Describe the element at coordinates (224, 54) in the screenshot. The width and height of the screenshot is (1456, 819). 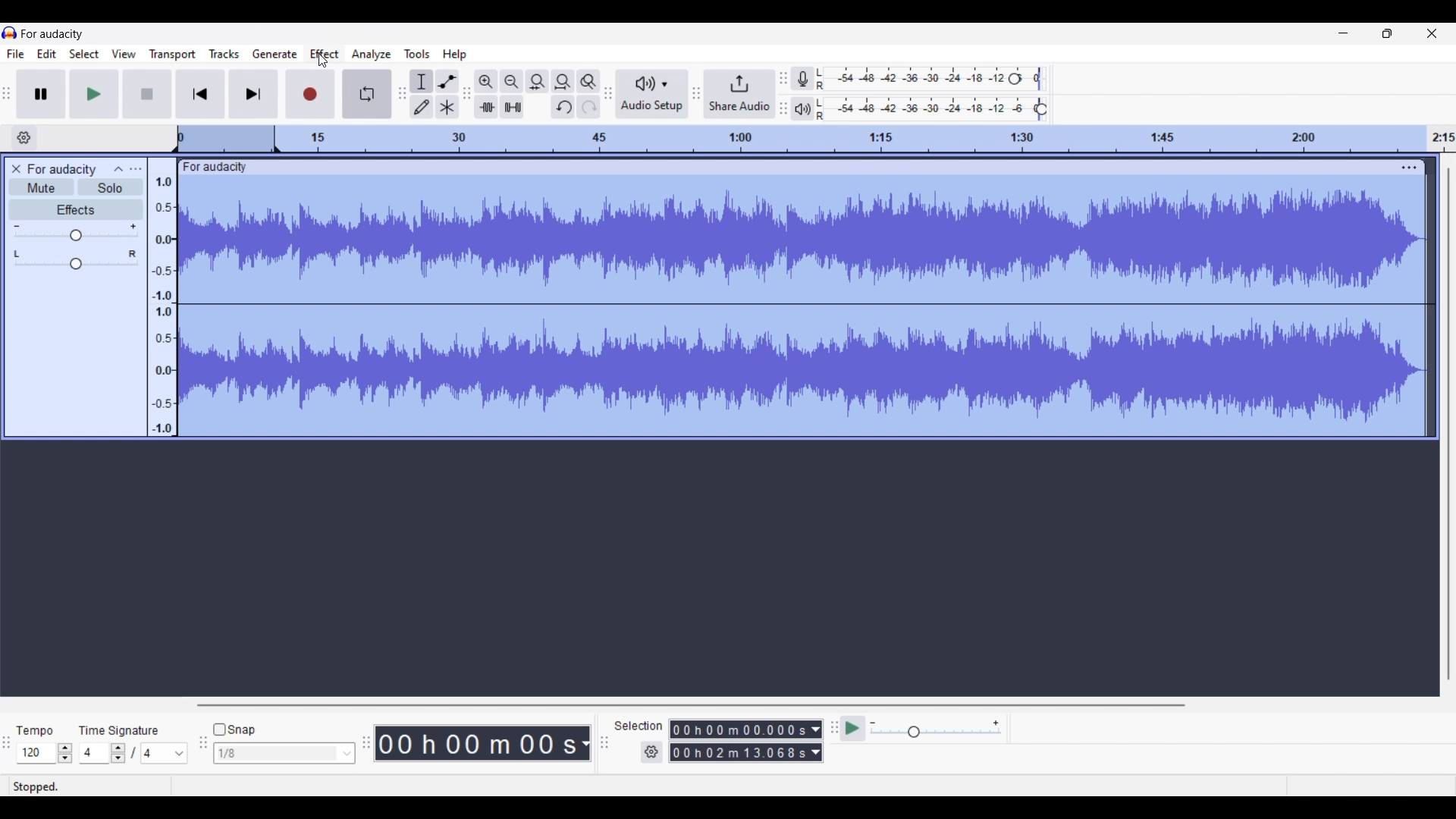
I see `Tracks menu` at that location.